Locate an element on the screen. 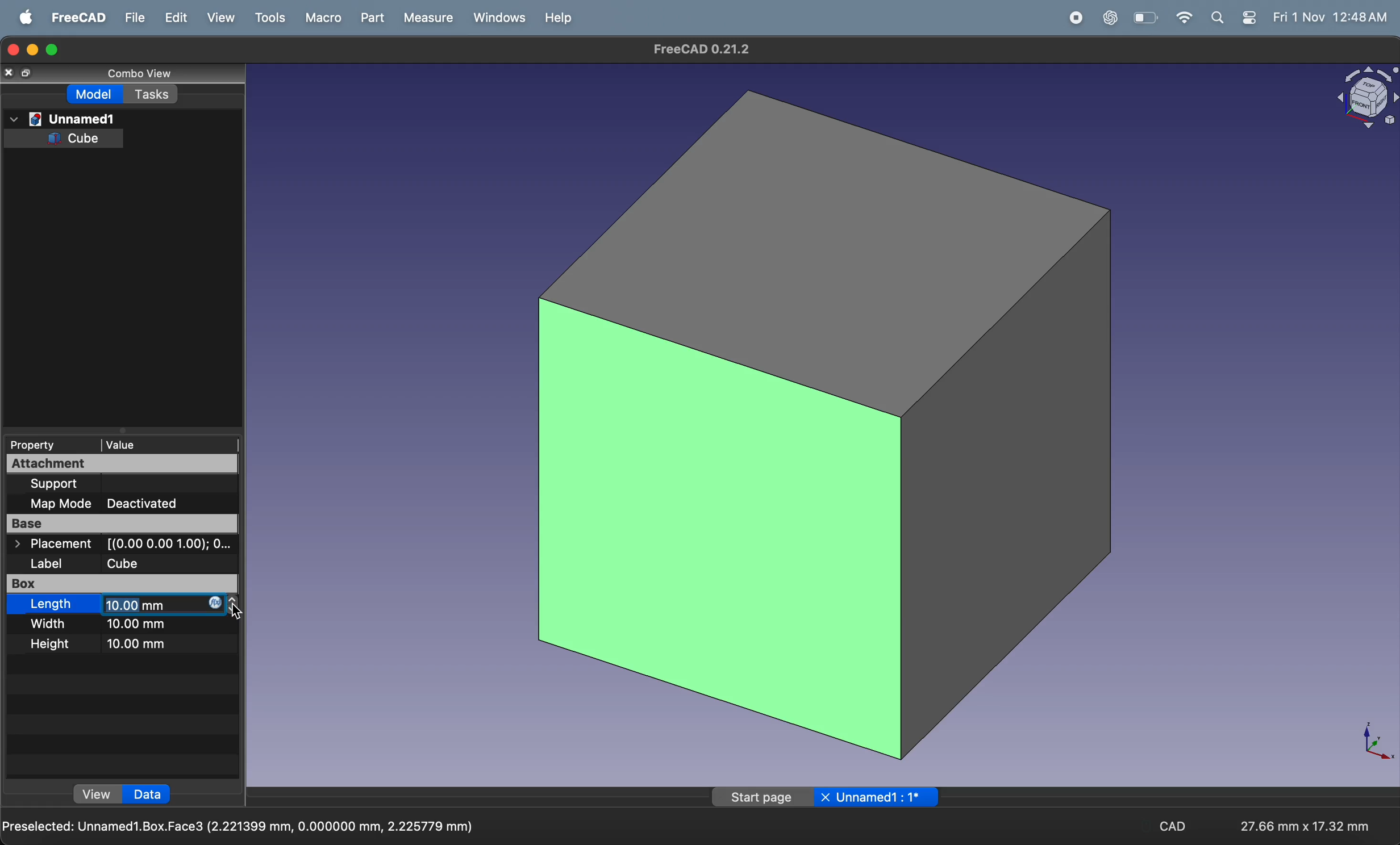 The image size is (1400, 845). model is located at coordinates (97, 95).